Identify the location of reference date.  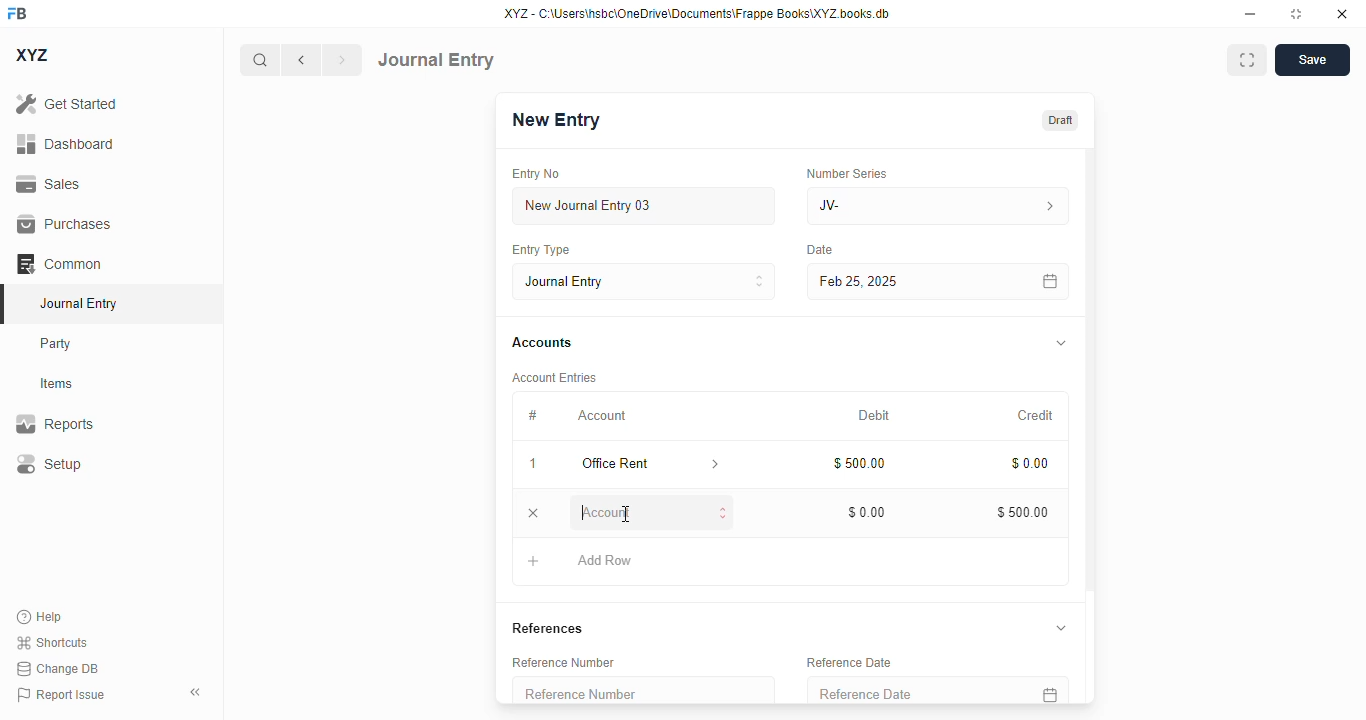
(900, 691).